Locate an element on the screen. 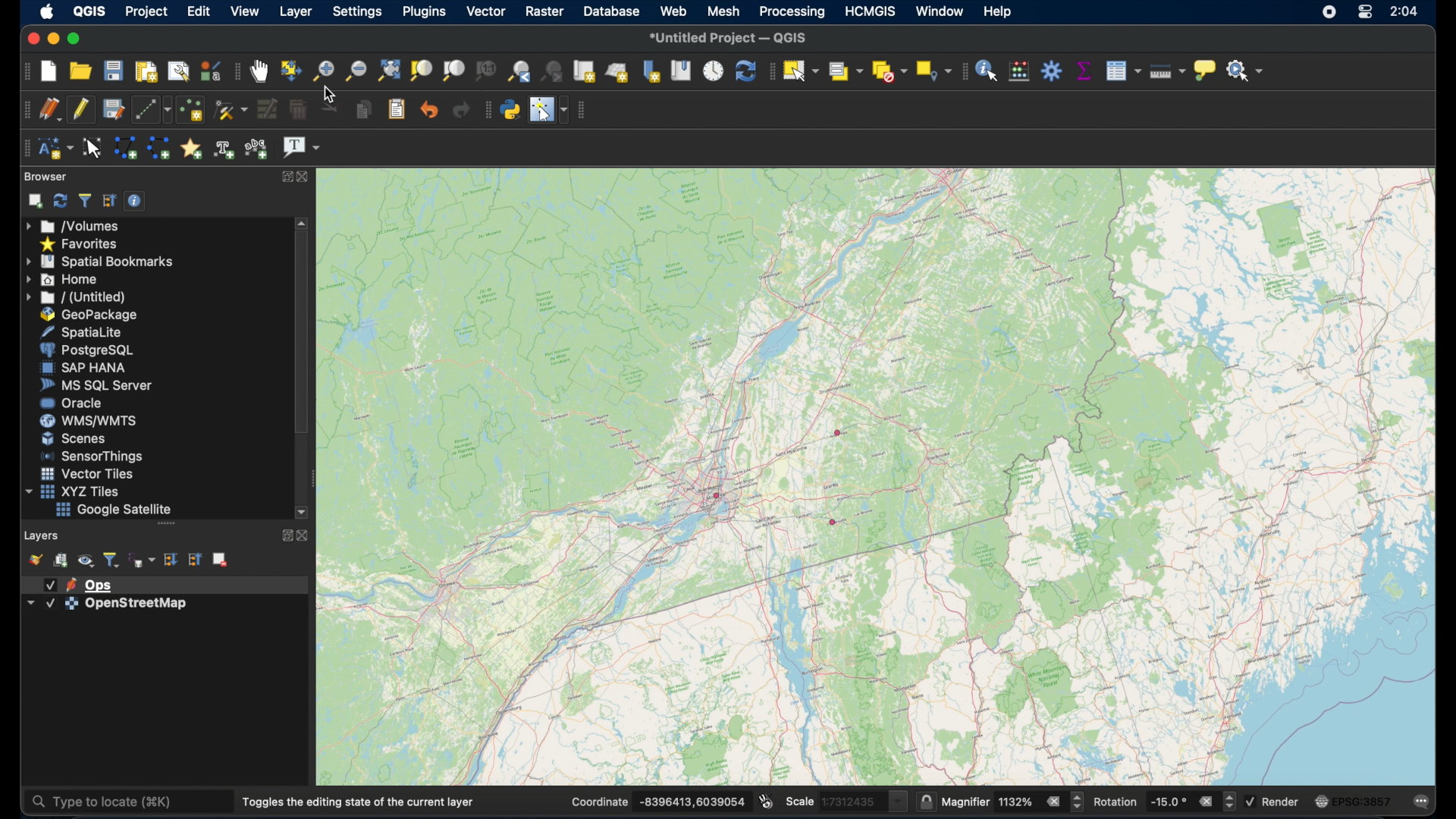 Image resolution: width=1456 pixels, height=819 pixels. zoom to layer is located at coordinates (452, 71).